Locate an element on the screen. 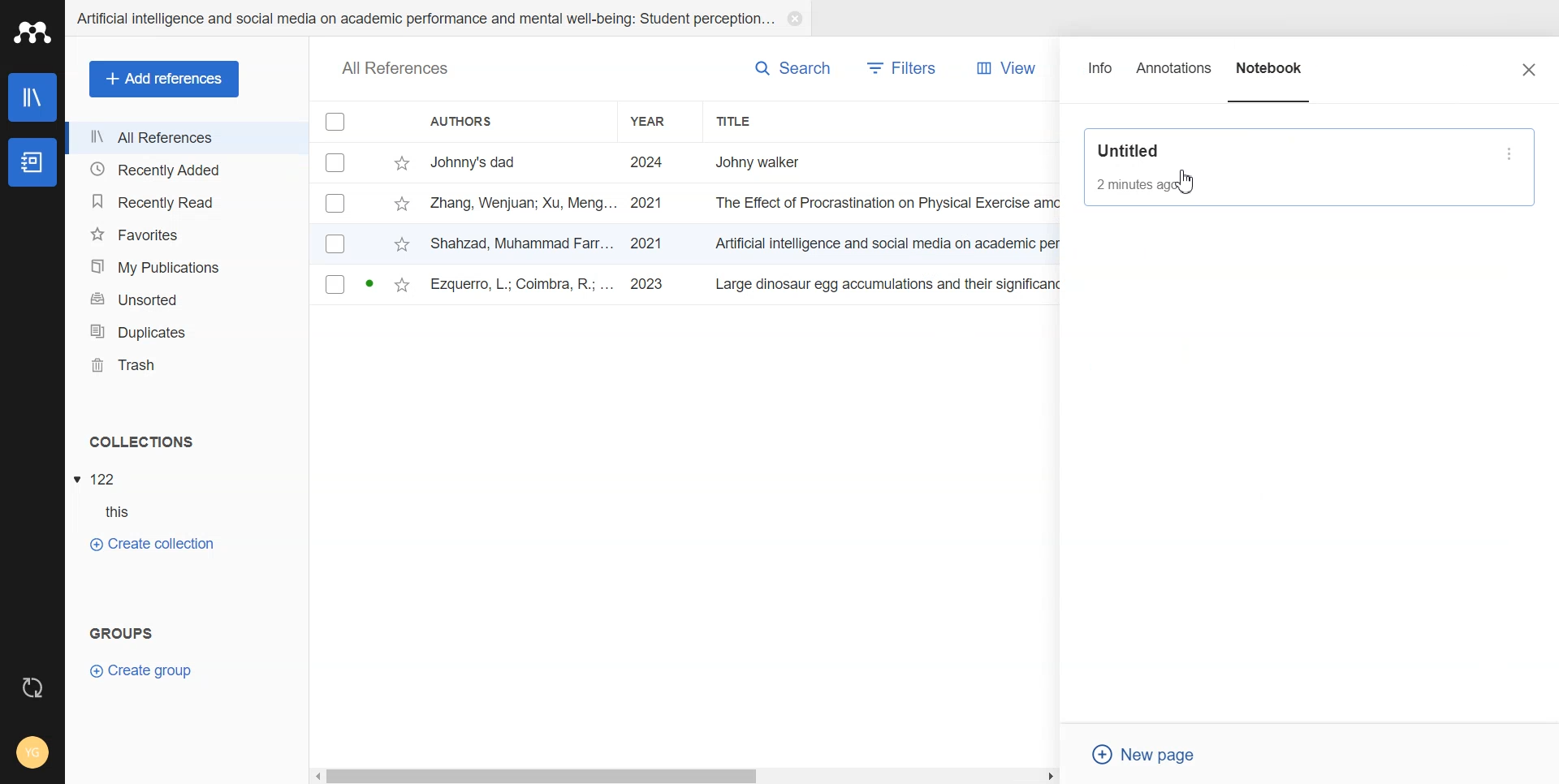  zang, wenjuan; xu, meng... is located at coordinates (524, 202).